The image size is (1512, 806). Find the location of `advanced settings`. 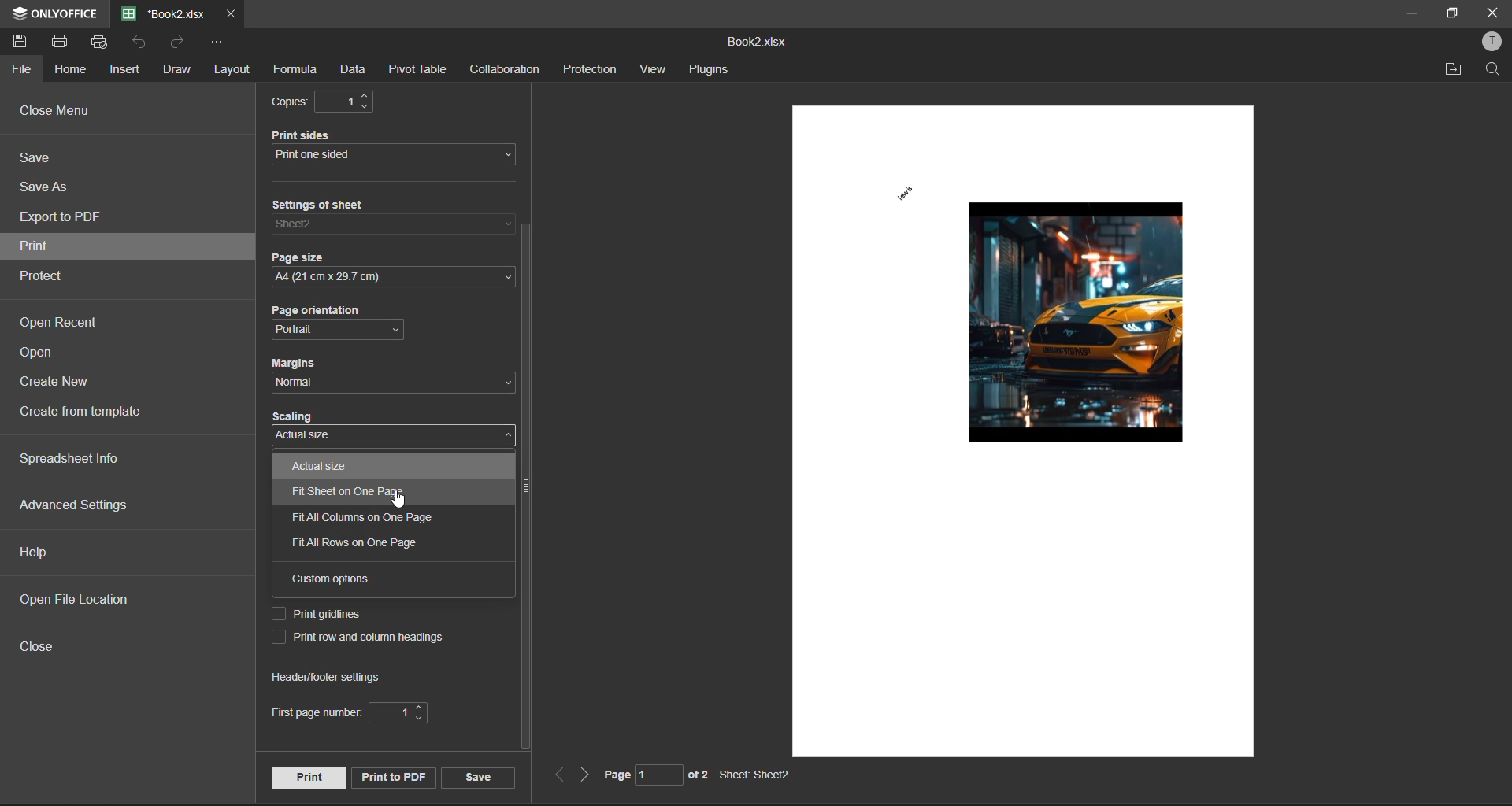

advanced settings is located at coordinates (76, 505).